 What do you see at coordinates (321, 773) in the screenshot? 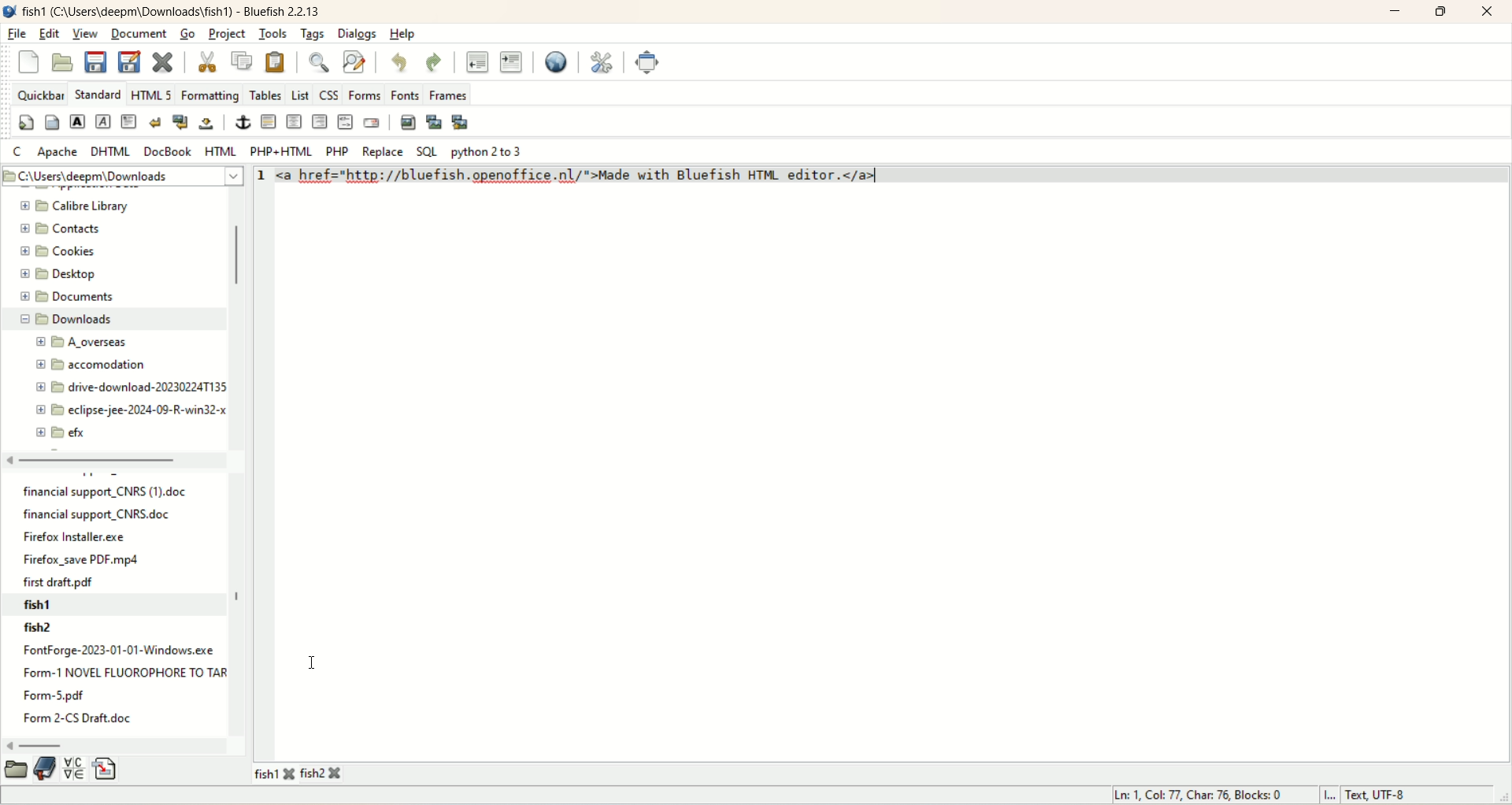
I see `file2` at bounding box center [321, 773].